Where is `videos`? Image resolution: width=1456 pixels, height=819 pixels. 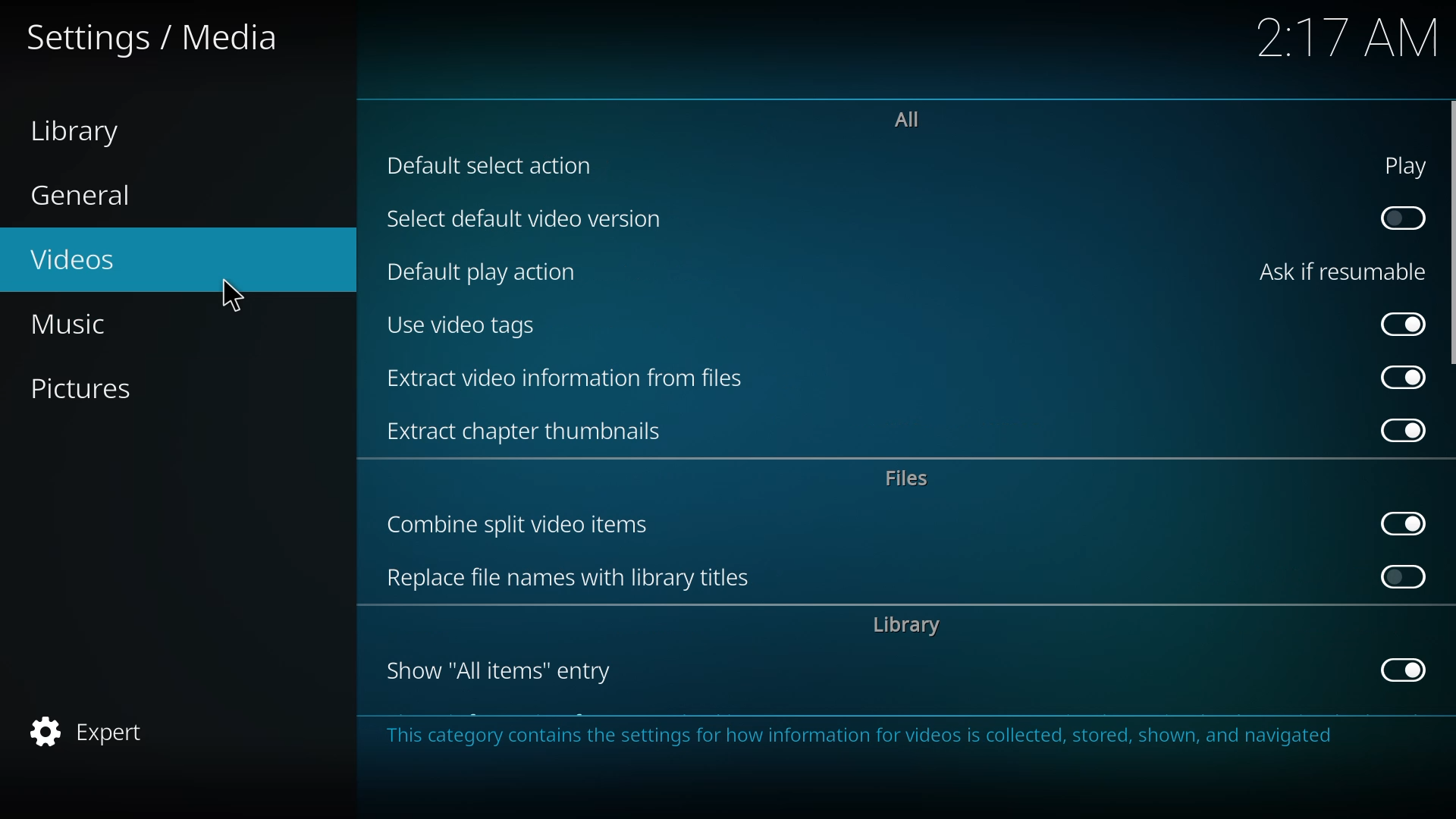
videos is located at coordinates (80, 262).